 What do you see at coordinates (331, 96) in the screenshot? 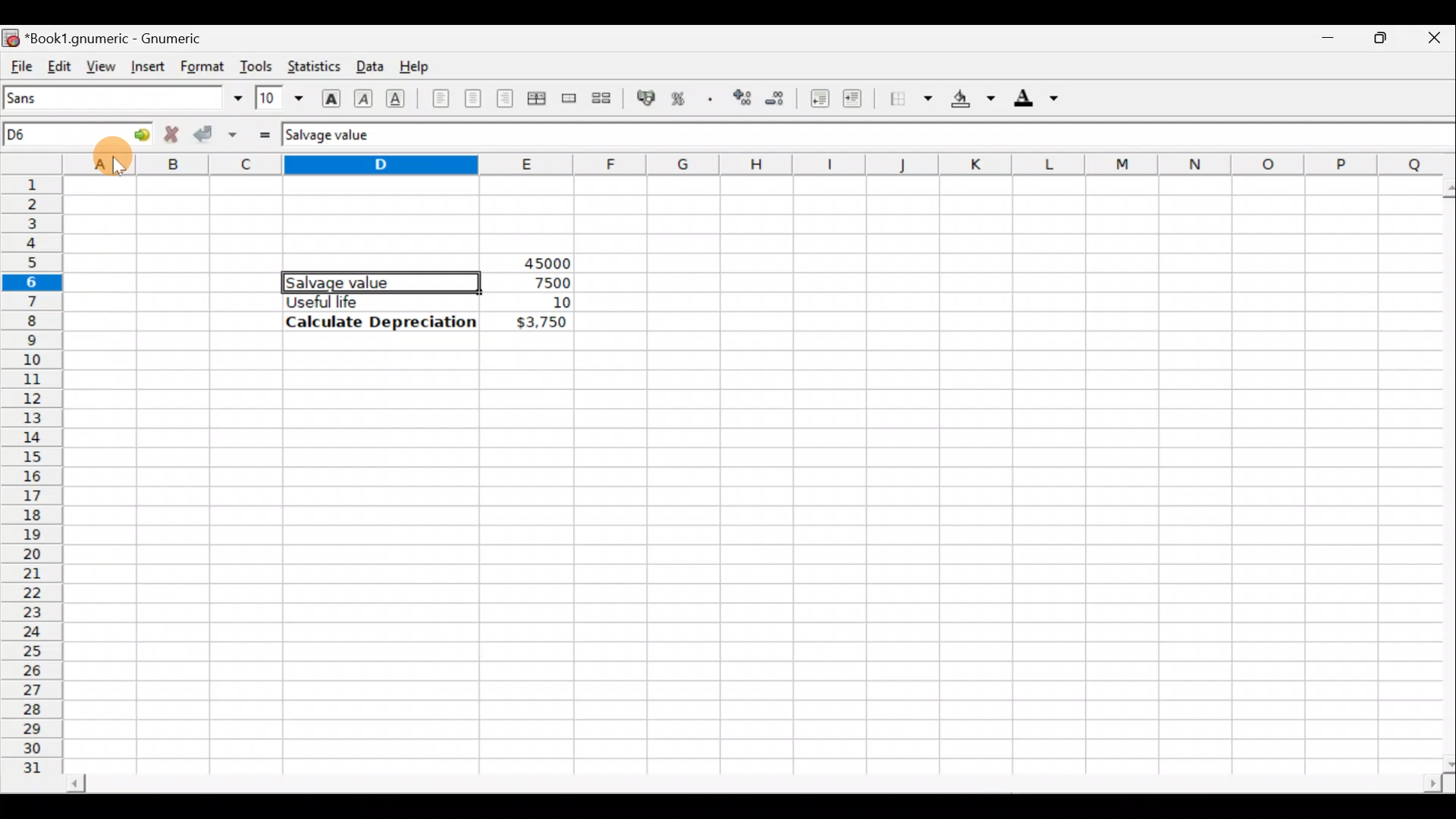
I see `Bold` at bounding box center [331, 96].